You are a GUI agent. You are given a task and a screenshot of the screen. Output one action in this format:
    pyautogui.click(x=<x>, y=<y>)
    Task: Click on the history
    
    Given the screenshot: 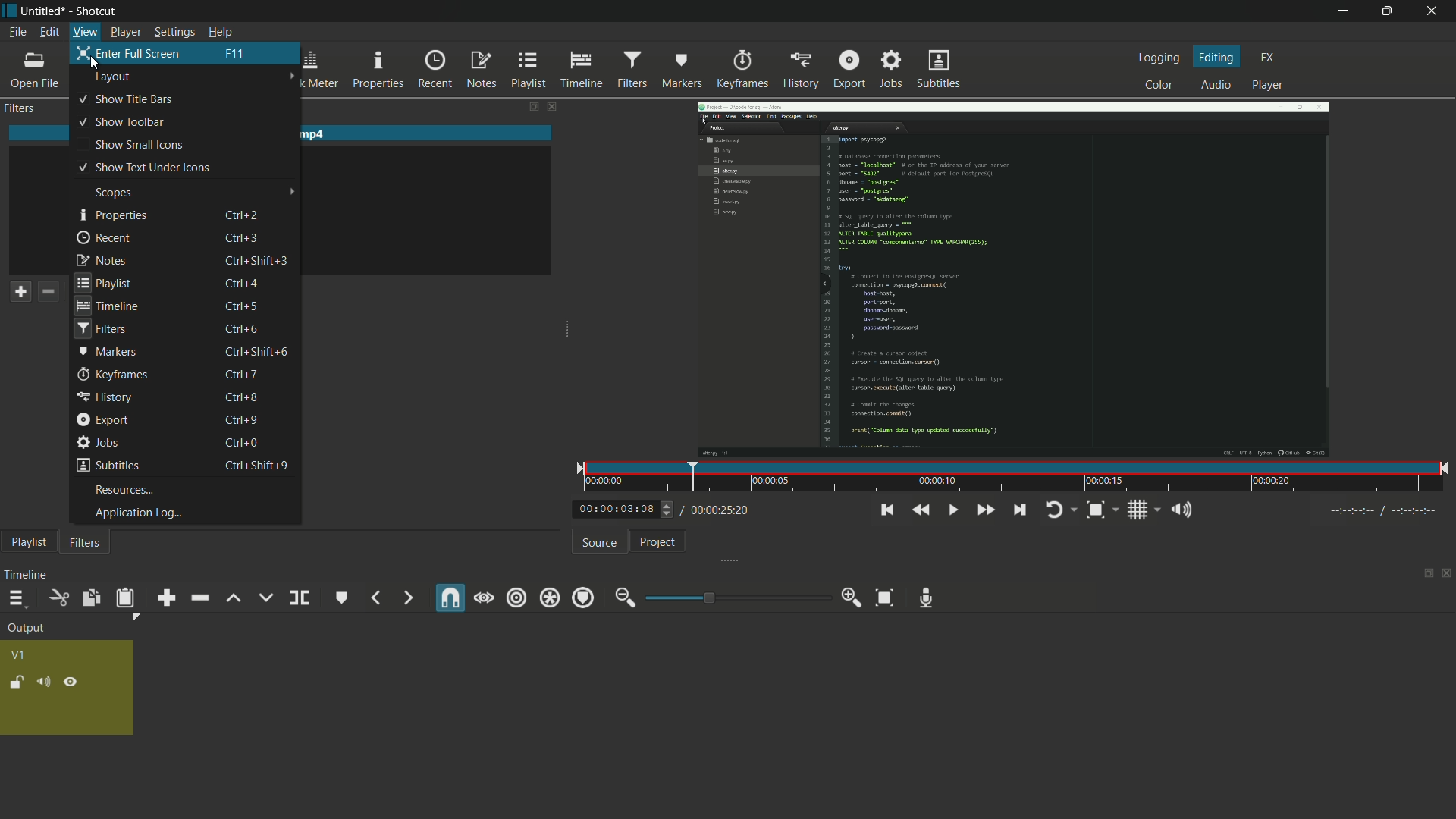 What is the action you would take?
    pyautogui.click(x=799, y=70)
    